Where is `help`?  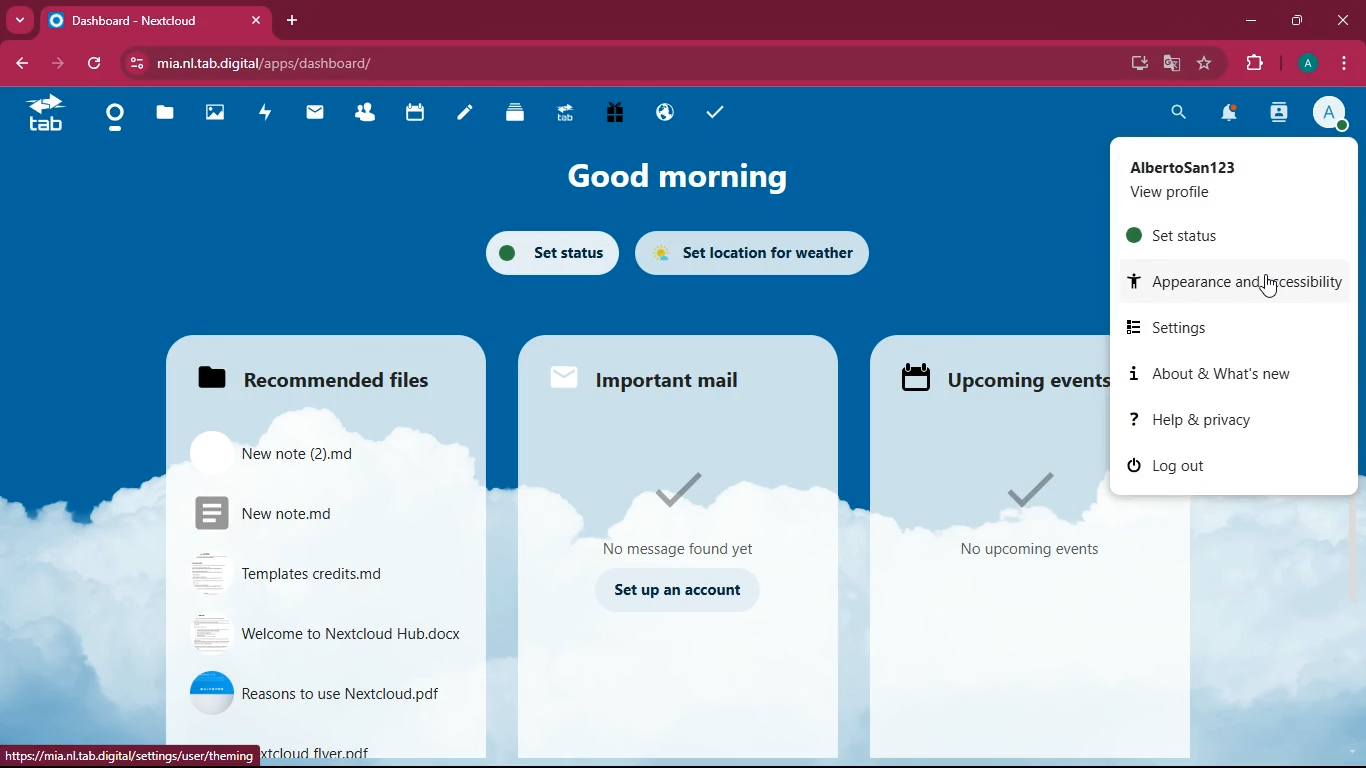 help is located at coordinates (1217, 420).